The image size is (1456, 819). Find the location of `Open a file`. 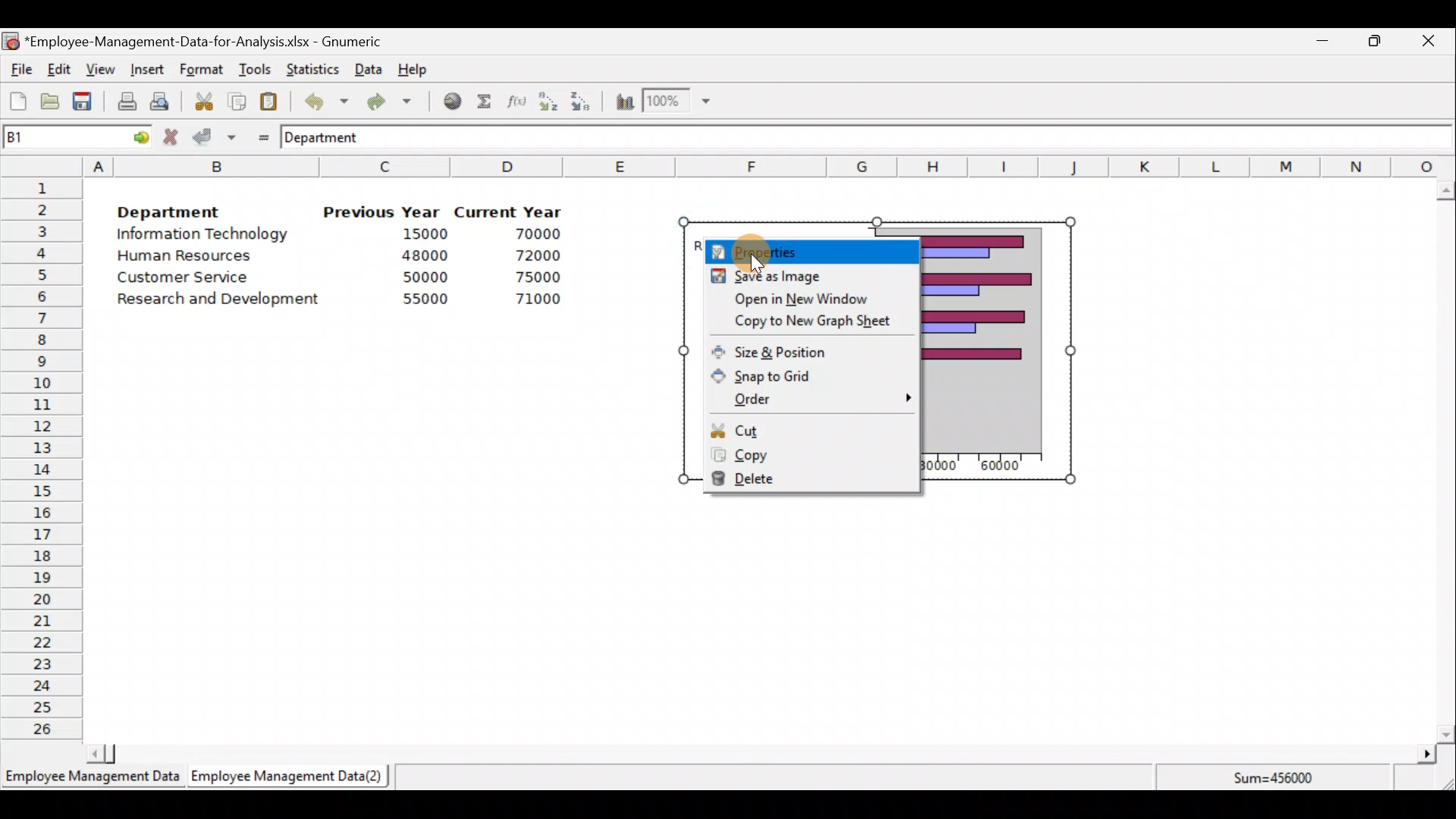

Open a file is located at coordinates (54, 103).